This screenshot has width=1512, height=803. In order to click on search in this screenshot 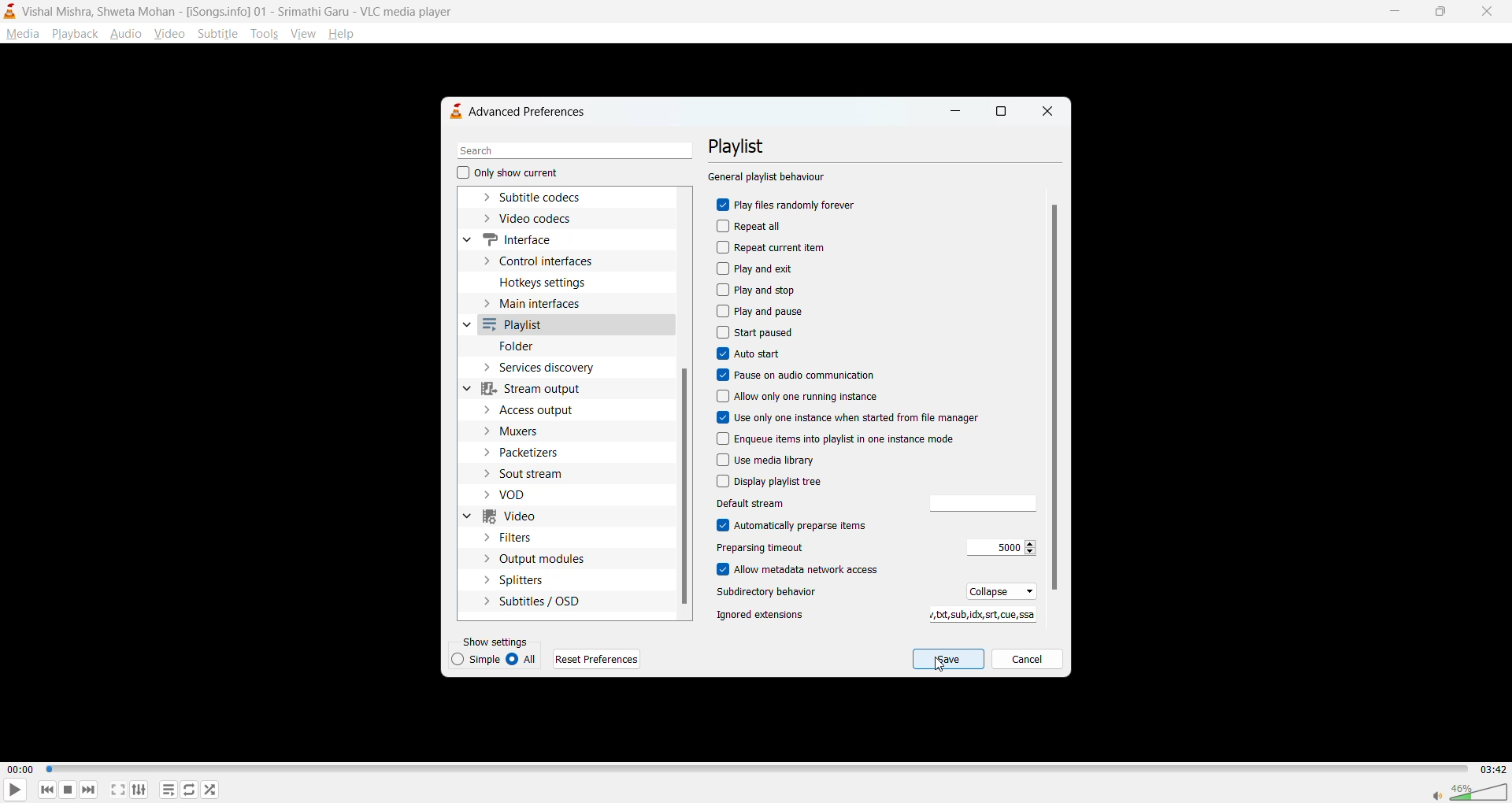, I will do `click(569, 151)`.